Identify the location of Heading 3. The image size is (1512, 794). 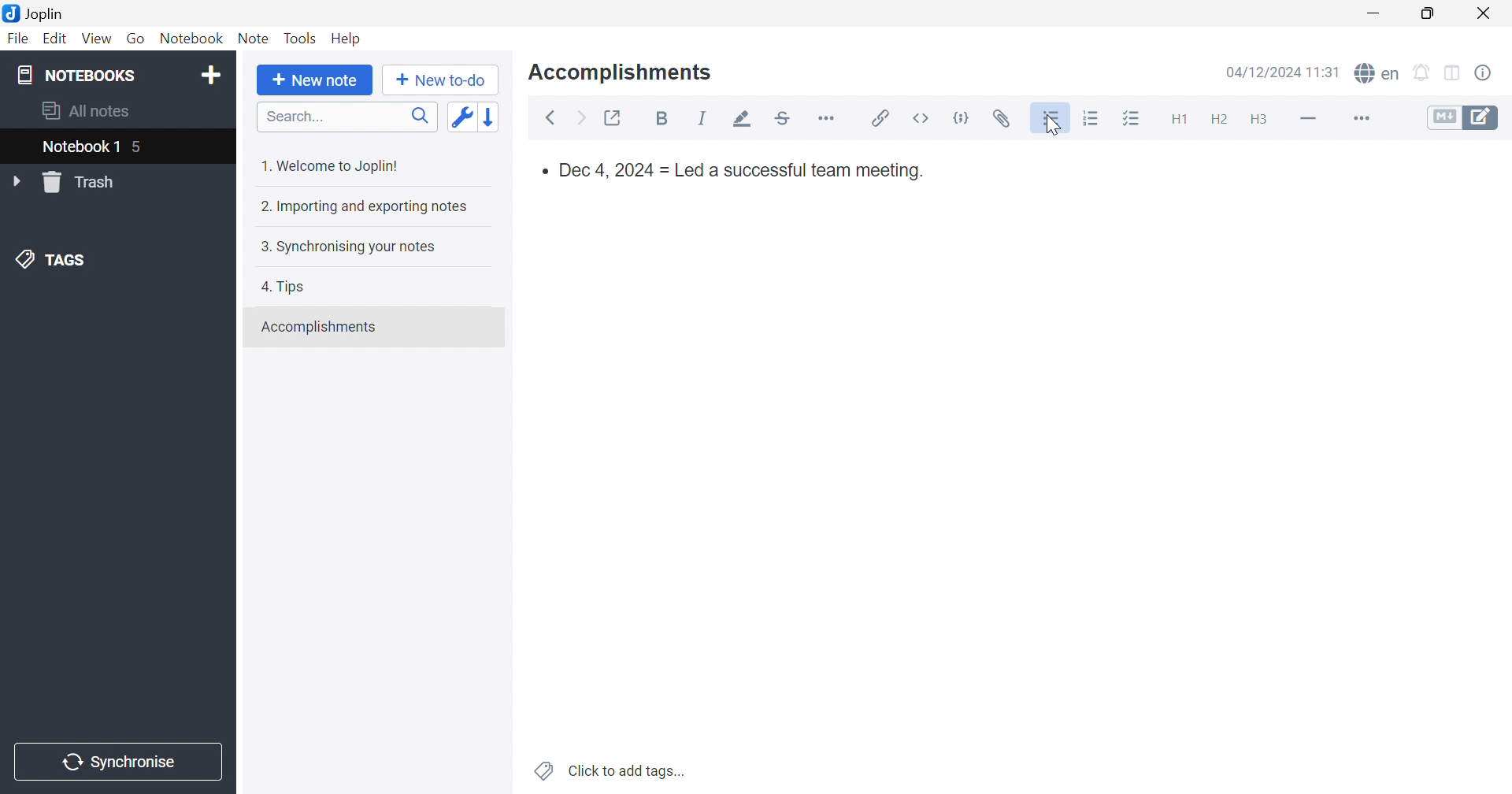
(1262, 118).